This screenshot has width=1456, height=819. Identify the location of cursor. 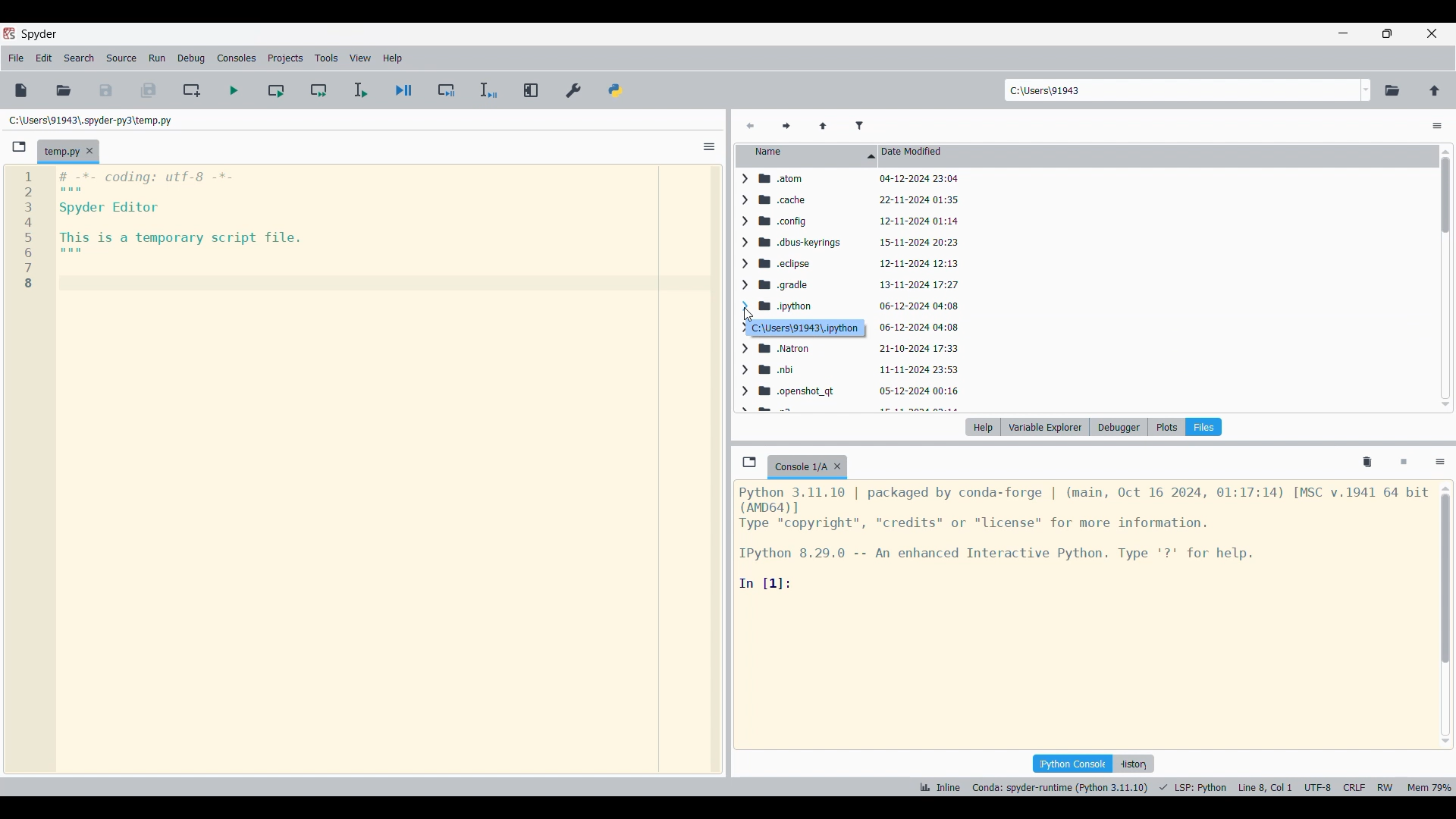
(748, 312).